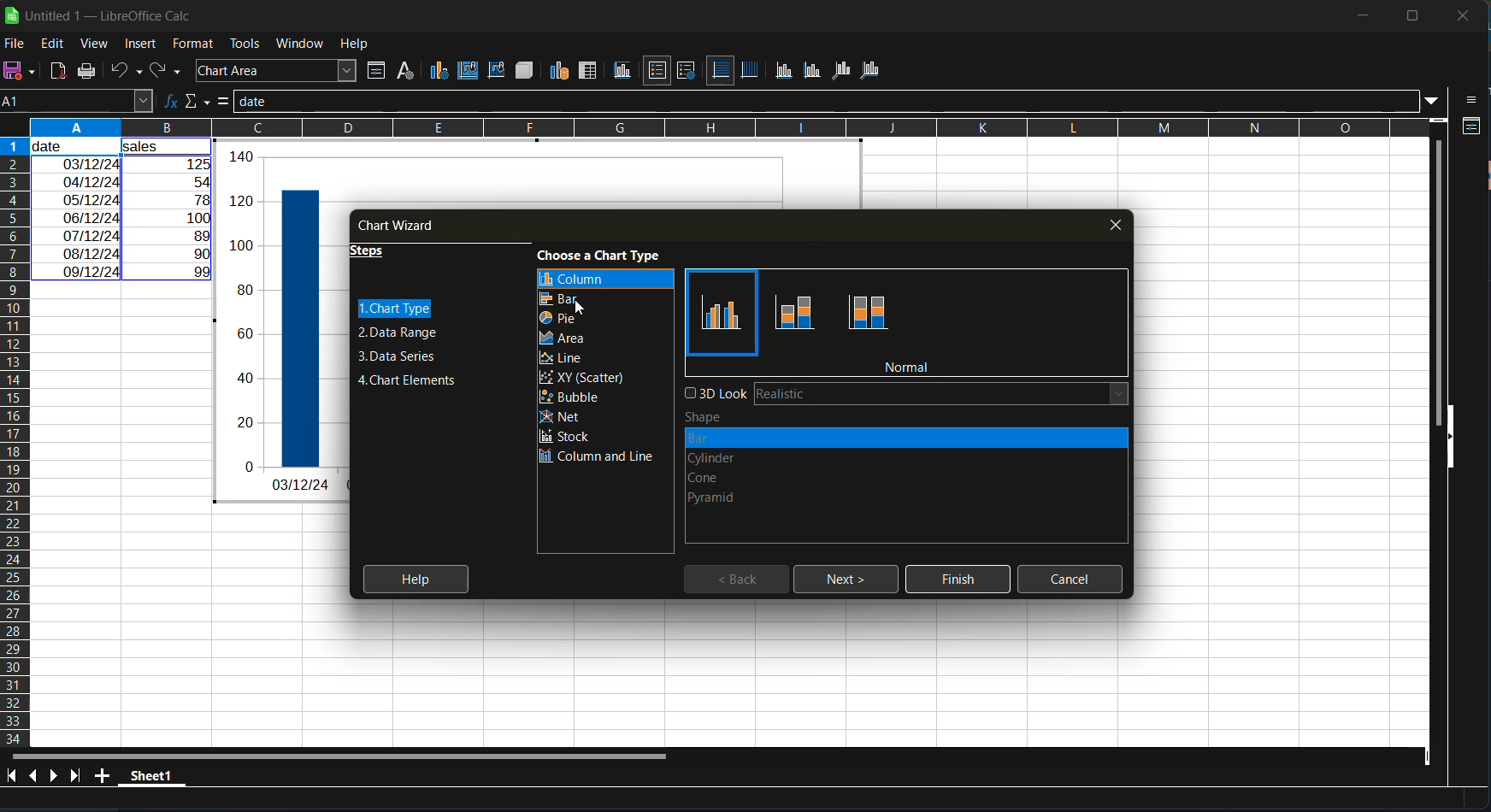 Image resolution: width=1491 pixels, height=812 pixels. What do you see at coordinates (396, 331) in the screenshot?
I see `data range` at bounding box center [396, 331].